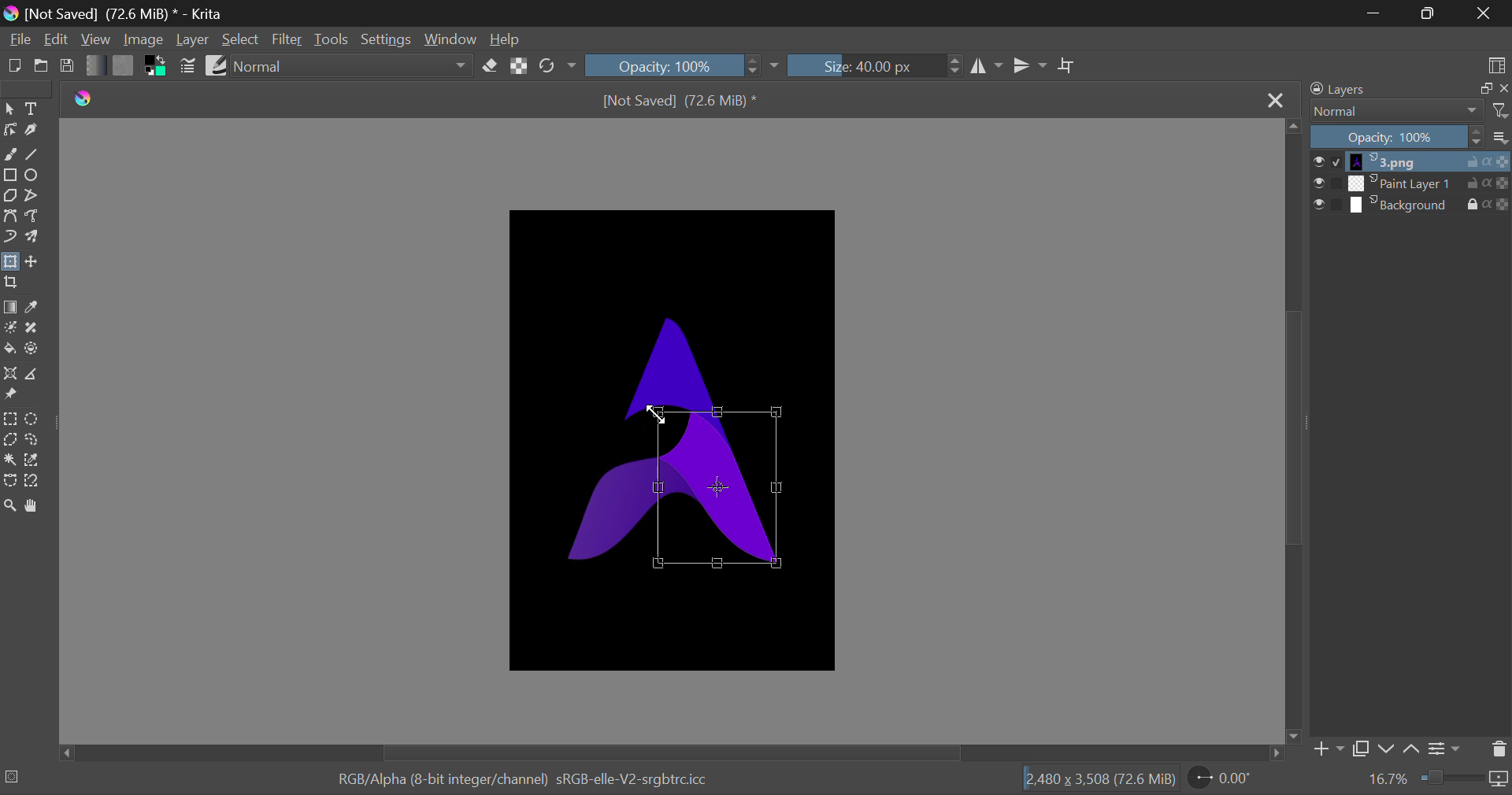 Image resolution: width=1512 pixels, height=795 pixels. Describe the element at coordinates (1325, 205) in the screenshot. I see `checkbox` at that location.